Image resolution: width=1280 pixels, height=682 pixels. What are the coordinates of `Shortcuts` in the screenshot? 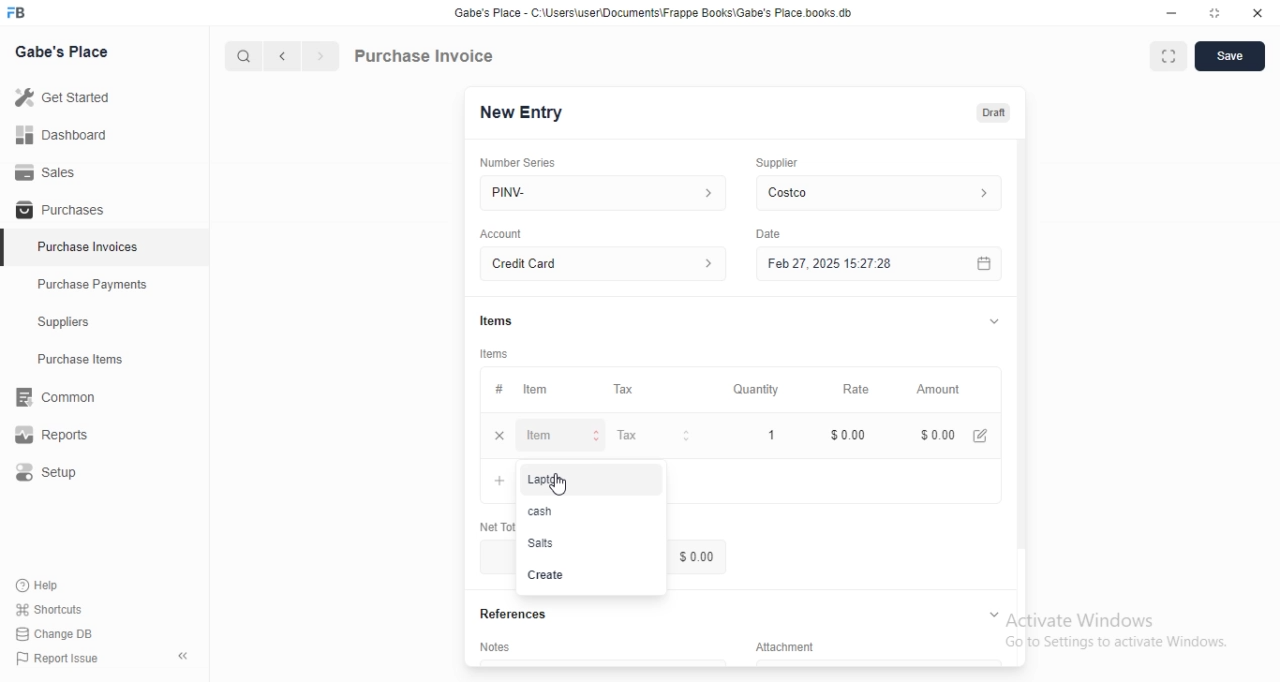 It's located at (50, 609).